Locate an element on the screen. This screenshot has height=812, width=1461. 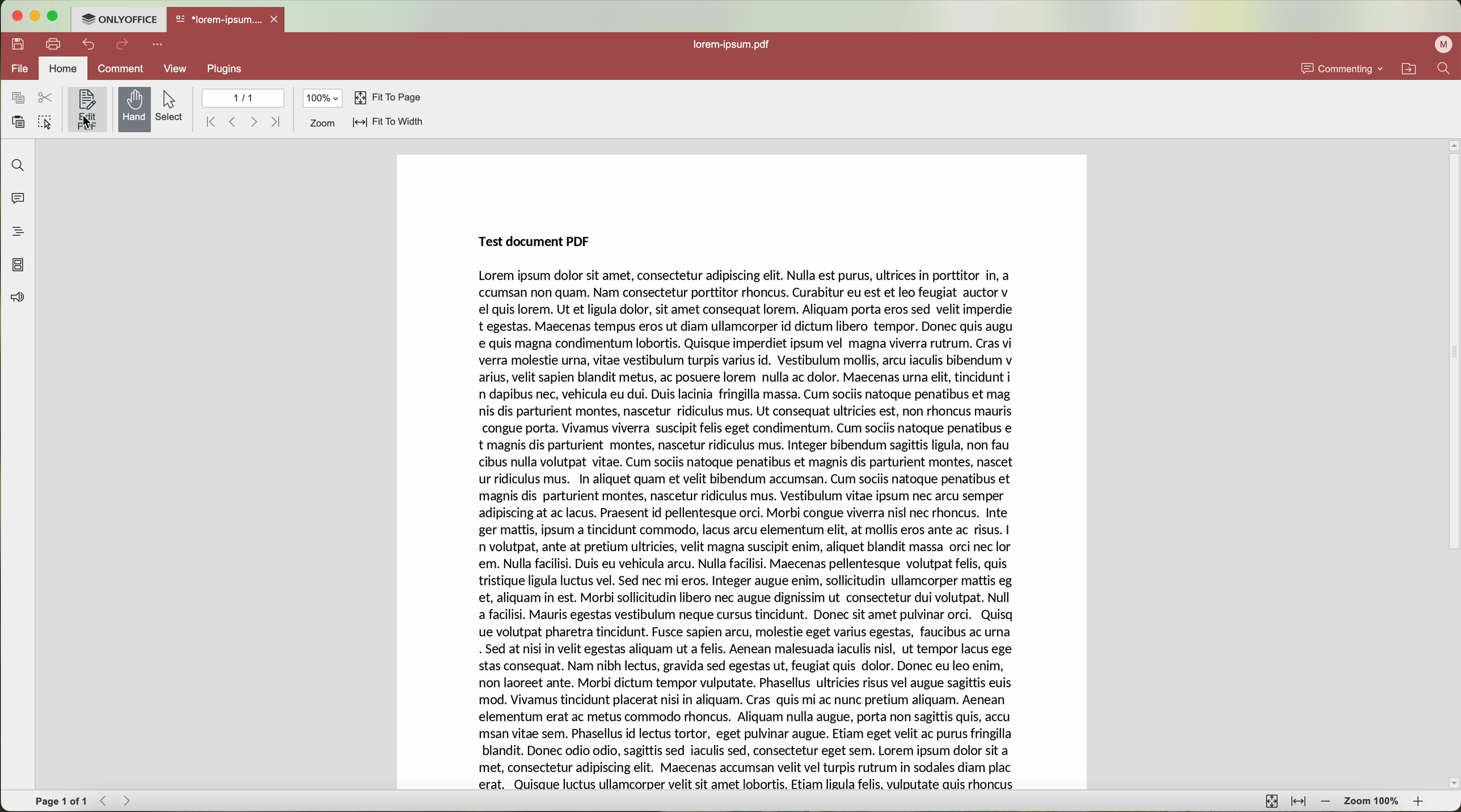
minimize is located at coordinates (36, 16).